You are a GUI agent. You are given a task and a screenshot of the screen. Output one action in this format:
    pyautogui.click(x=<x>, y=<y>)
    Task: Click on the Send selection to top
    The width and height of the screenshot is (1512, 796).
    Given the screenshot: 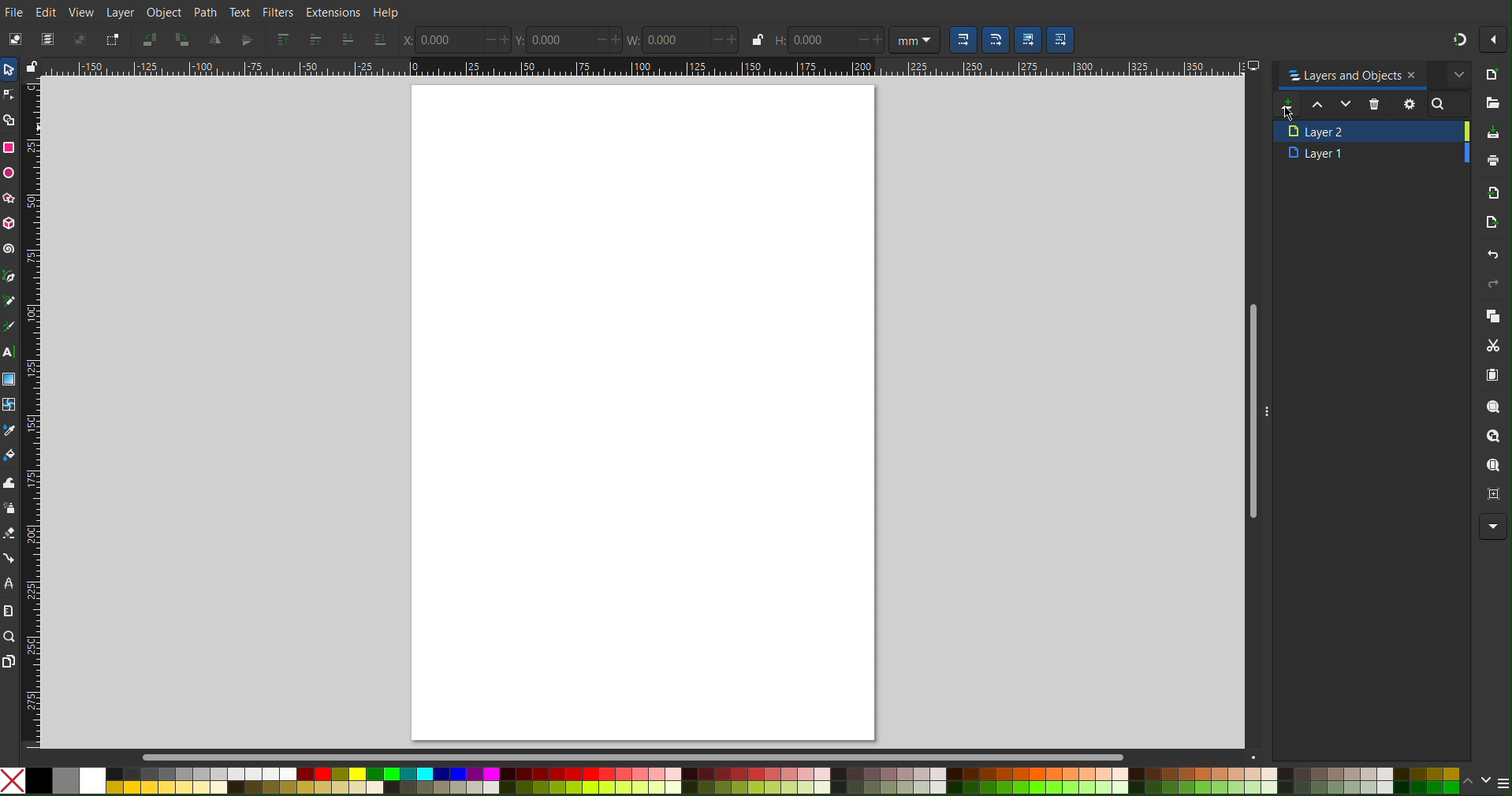 What is the action you would take?
    pyautogui.click(x=285, y=39)
    